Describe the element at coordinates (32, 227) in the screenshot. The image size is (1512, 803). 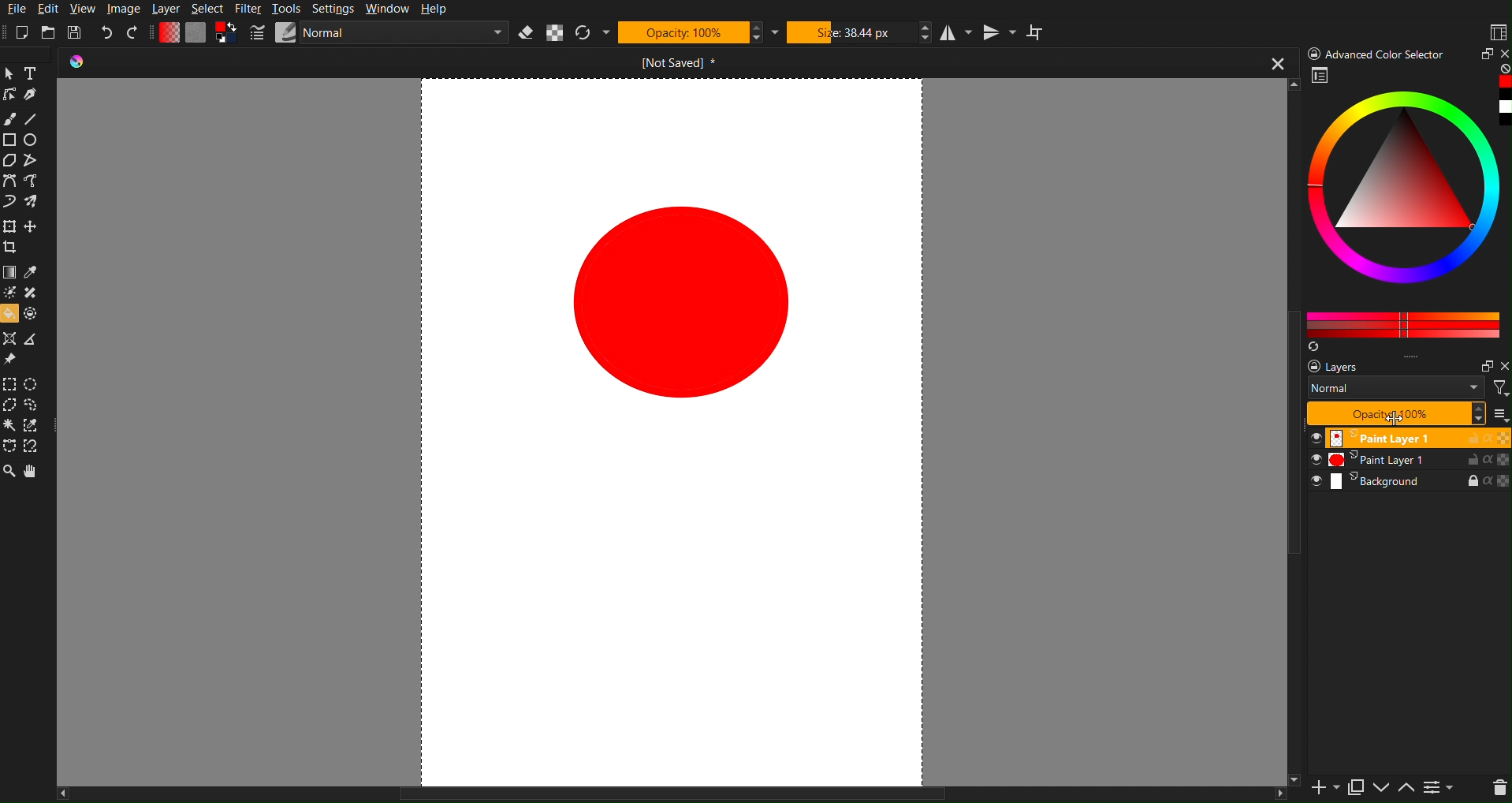
I see `Move Layer` at that location.